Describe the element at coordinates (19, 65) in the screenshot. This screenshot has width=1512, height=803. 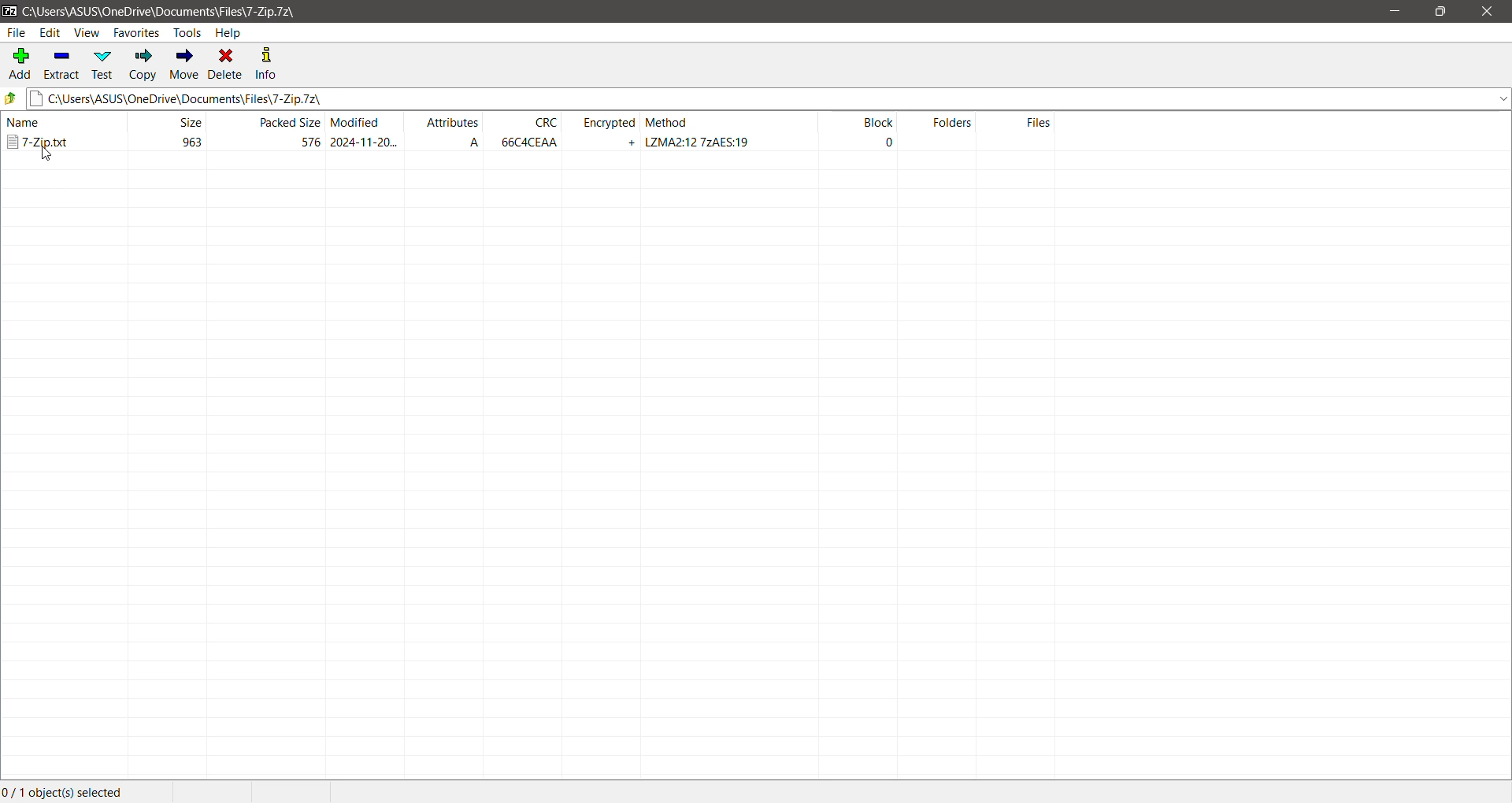
I see `Add` at that location.